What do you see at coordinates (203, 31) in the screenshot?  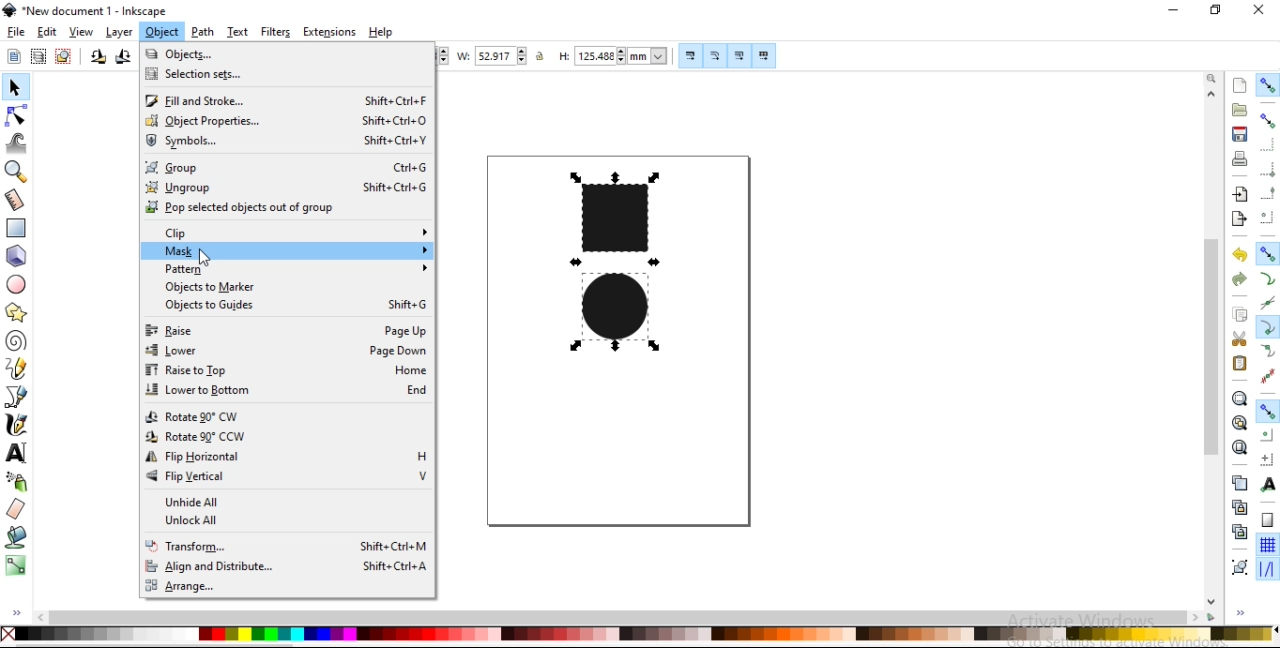 I see `path` at bounding box center [203, 31].